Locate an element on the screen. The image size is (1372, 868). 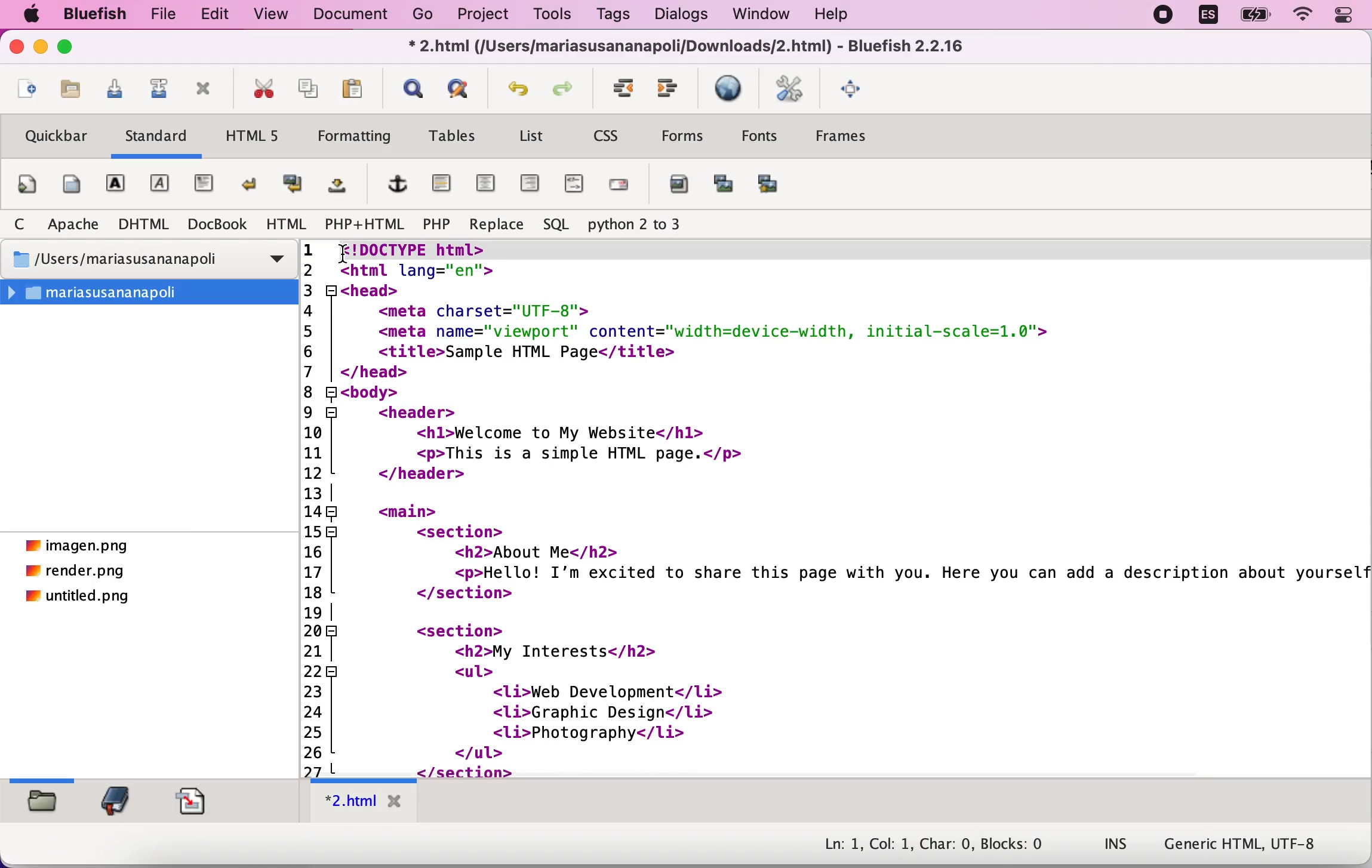
add hyperlink is located at coordinates (398, 187).